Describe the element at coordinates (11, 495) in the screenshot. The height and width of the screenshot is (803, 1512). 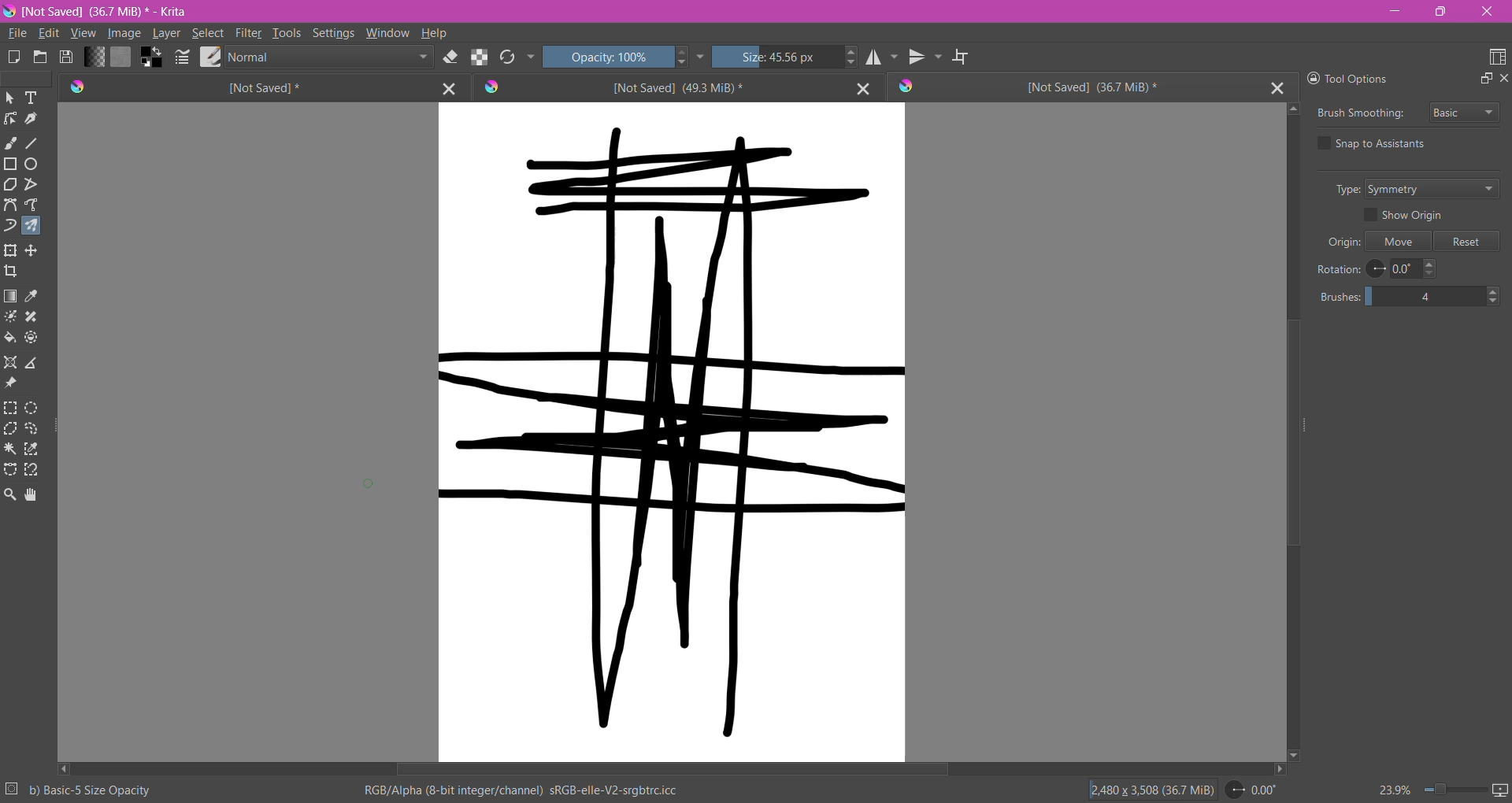
I see `Zoom Tool` at that location.